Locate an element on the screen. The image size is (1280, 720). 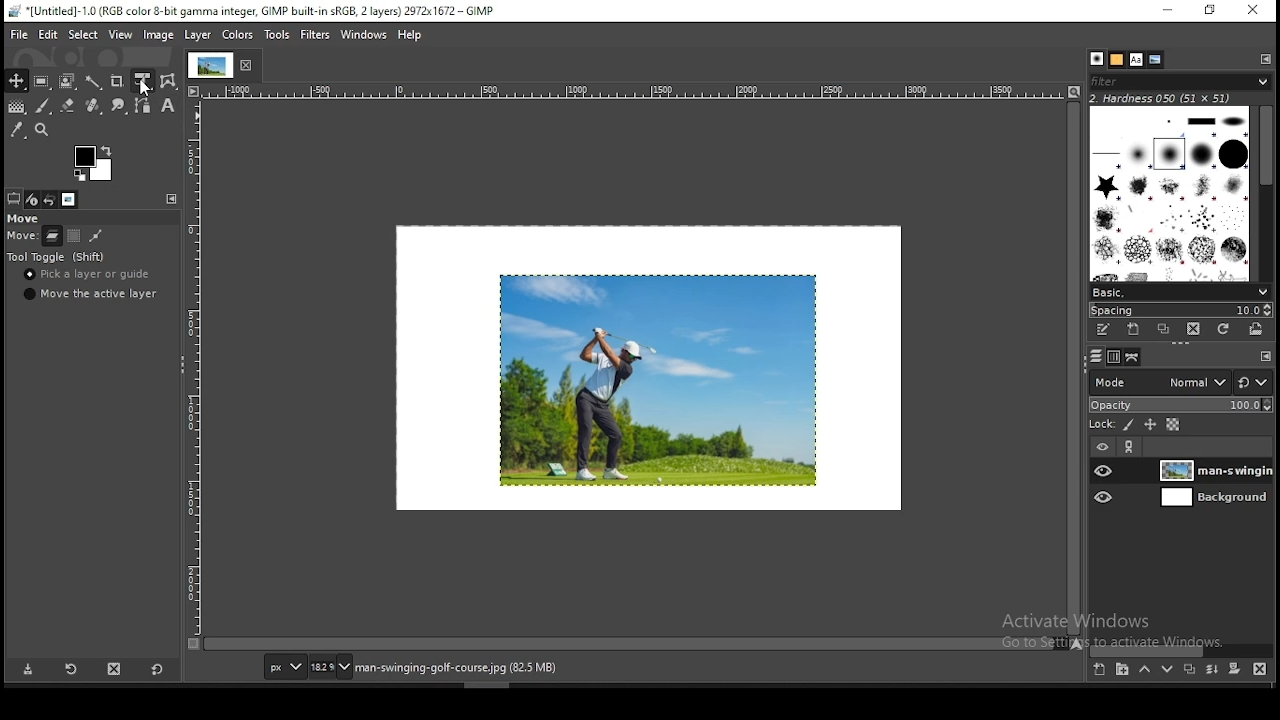
layer visibility on/off is located at coordinates (1104, 499).